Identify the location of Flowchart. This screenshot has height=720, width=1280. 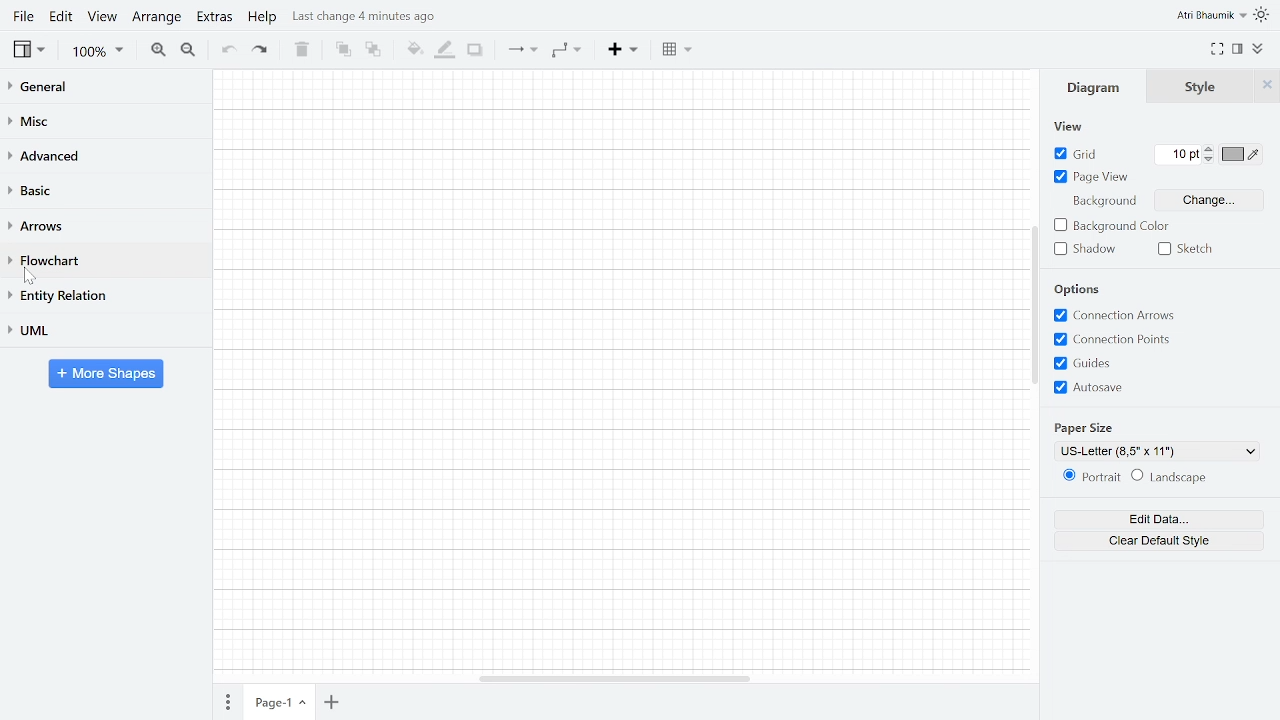
(100, 262).